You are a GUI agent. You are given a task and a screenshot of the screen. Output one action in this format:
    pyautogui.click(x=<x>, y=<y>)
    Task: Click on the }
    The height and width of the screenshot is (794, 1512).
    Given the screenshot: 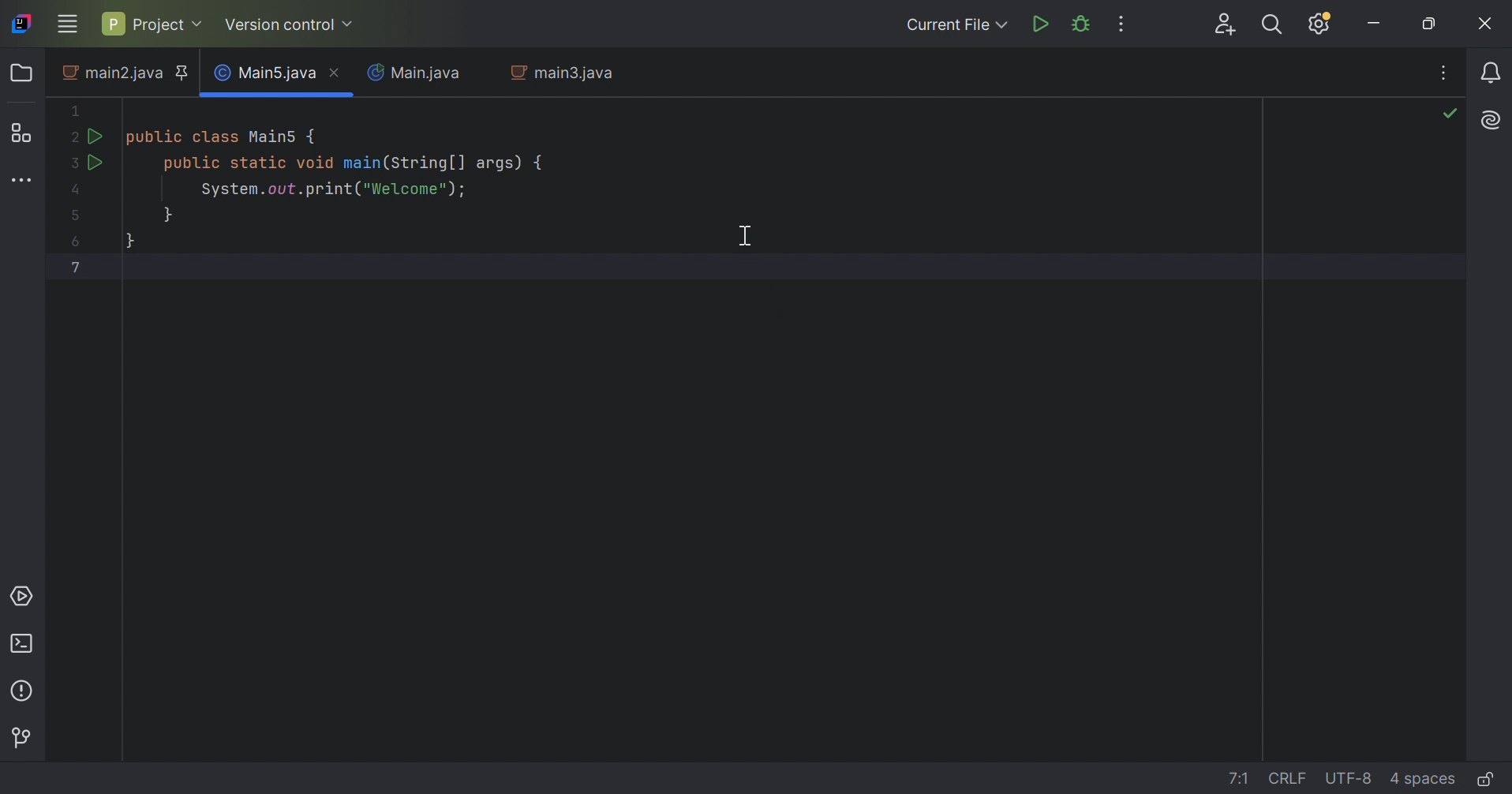 What is the action you would take?
    pyautogui.click(x=128, y=239)
    